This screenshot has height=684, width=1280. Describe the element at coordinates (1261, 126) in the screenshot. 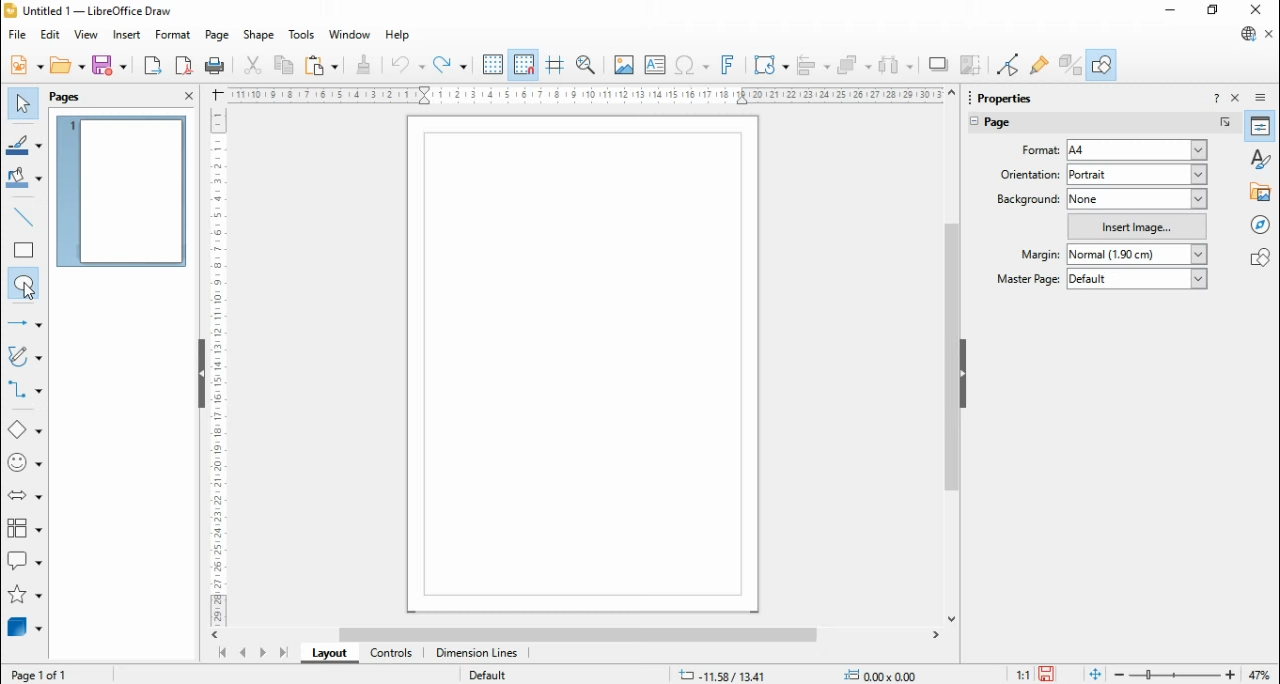

I see `properties` at that location.